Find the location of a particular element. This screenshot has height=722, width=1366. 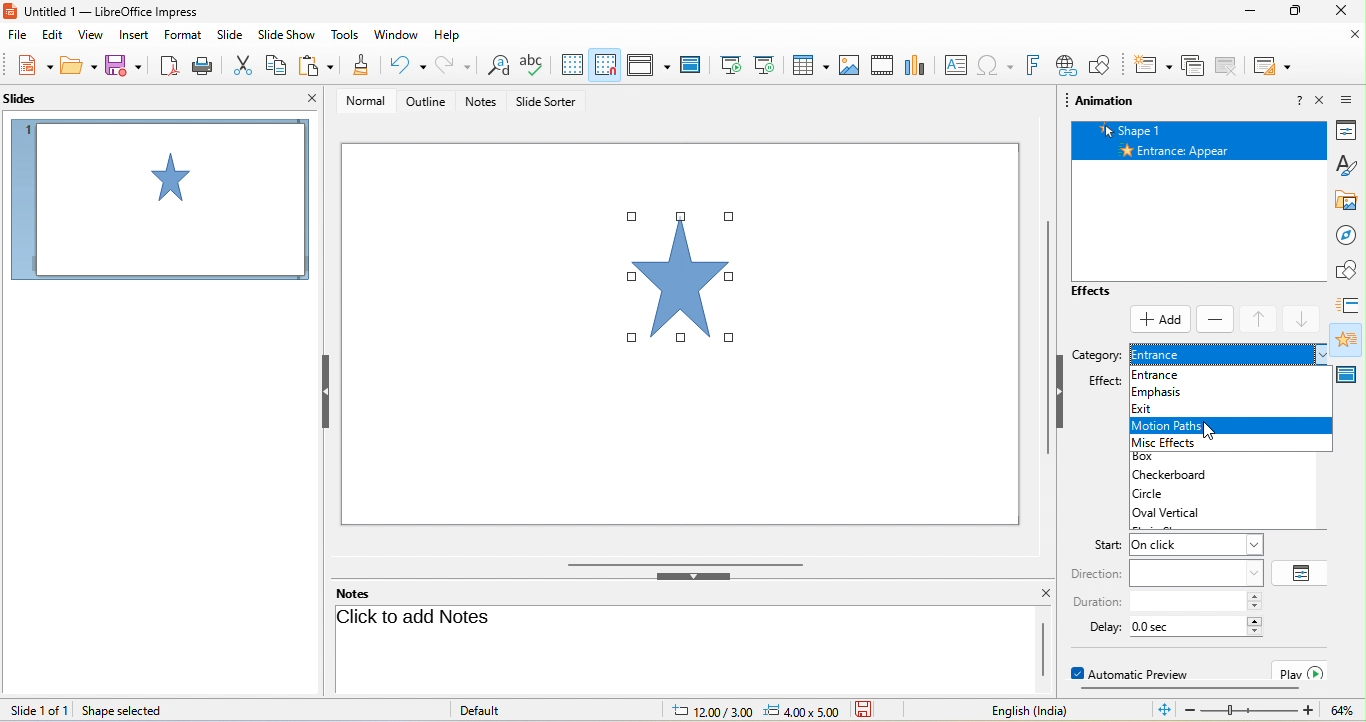

hide is located at coordinates (1061, 396).